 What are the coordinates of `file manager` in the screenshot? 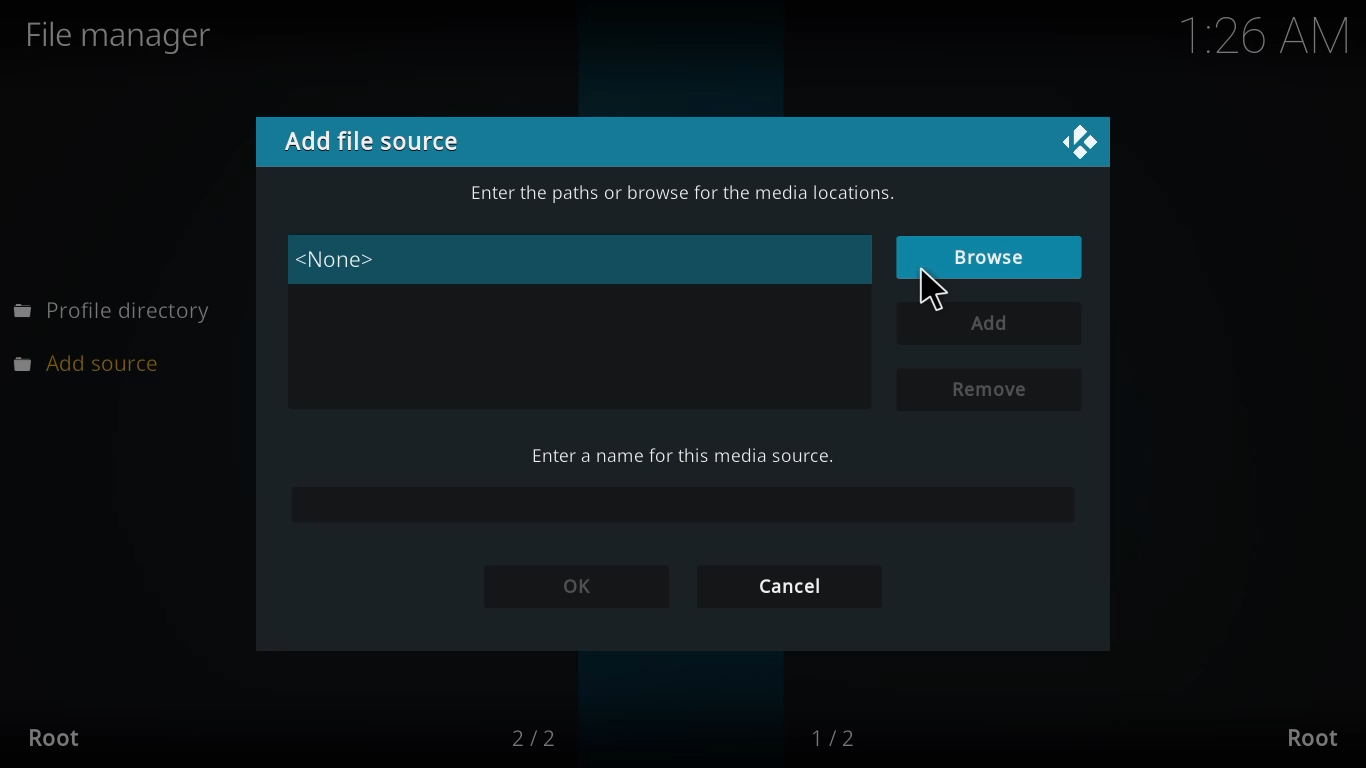 It's located at (127, 35).